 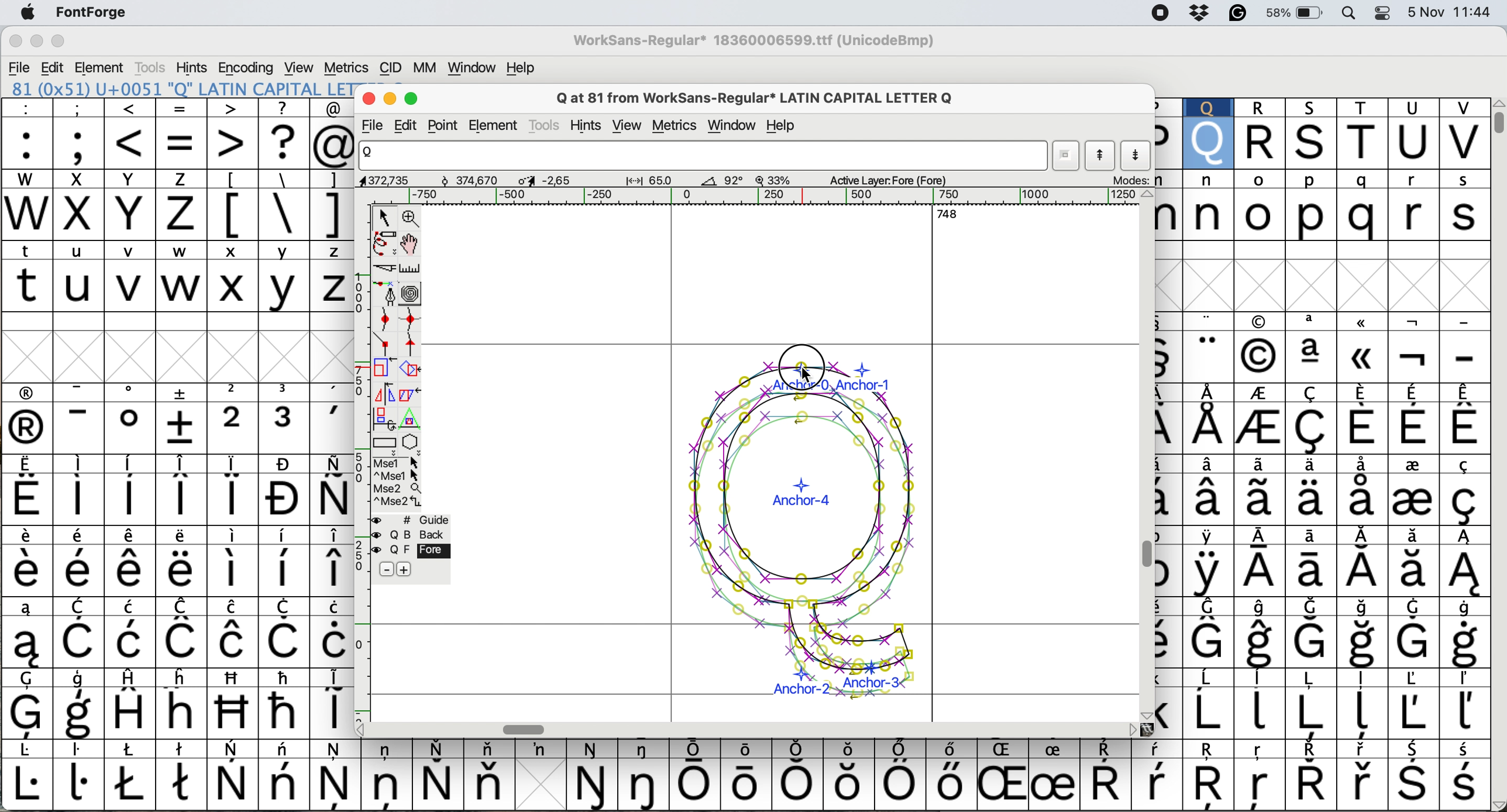 I want to click on special characters, so click(x=177, y=558).